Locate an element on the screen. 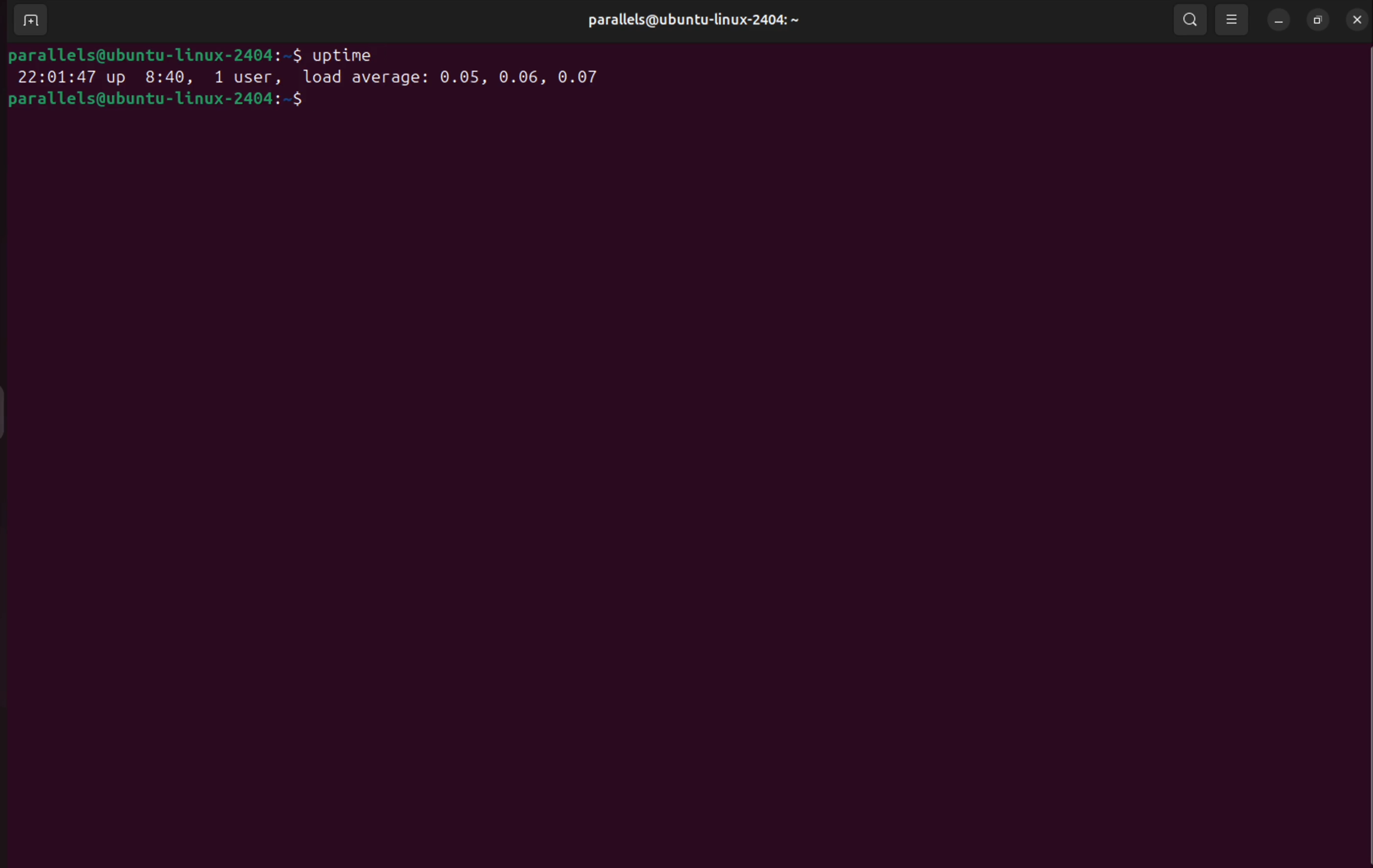 The height and width of the screenshot is (868, 1373). resize is located at coordinates (1317, 18).